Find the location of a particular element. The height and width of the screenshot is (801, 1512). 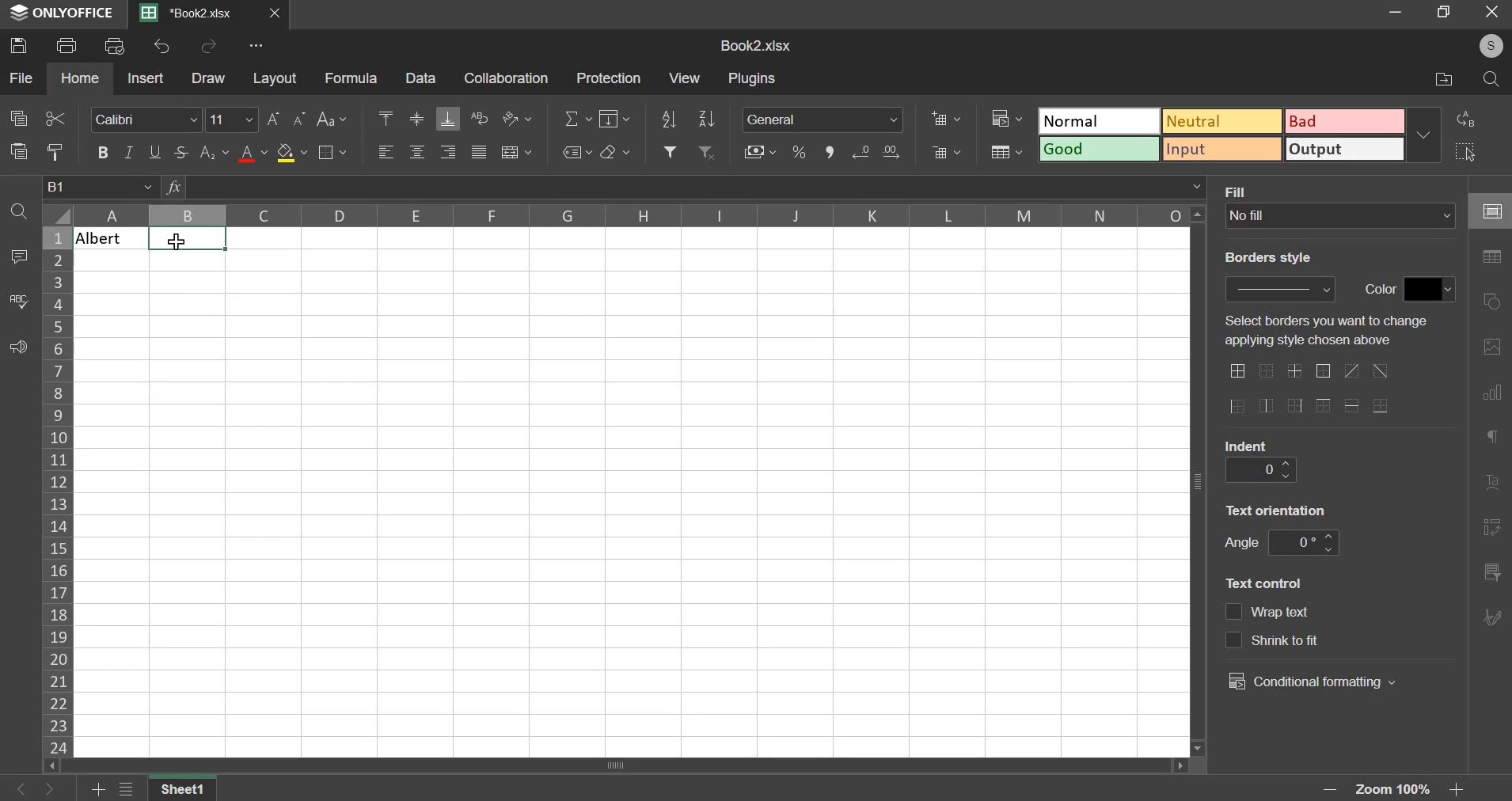

border style is located at coordinates (1286, 290).